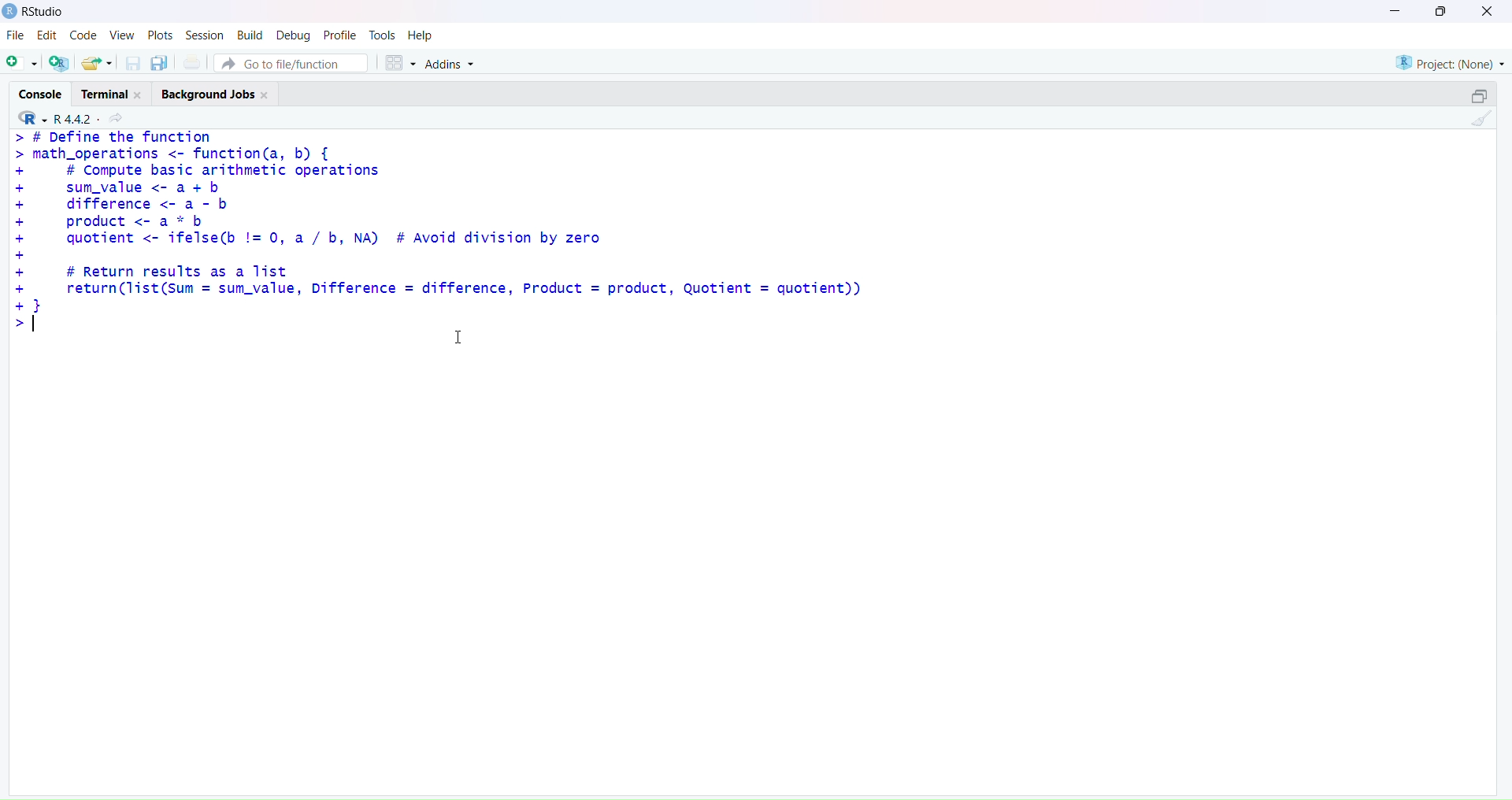 Image resolution: width=1512 pixels, height=800 pixels. Describe the element at coordinates (246, 35) in the screenshot. I see `Build` at that location.